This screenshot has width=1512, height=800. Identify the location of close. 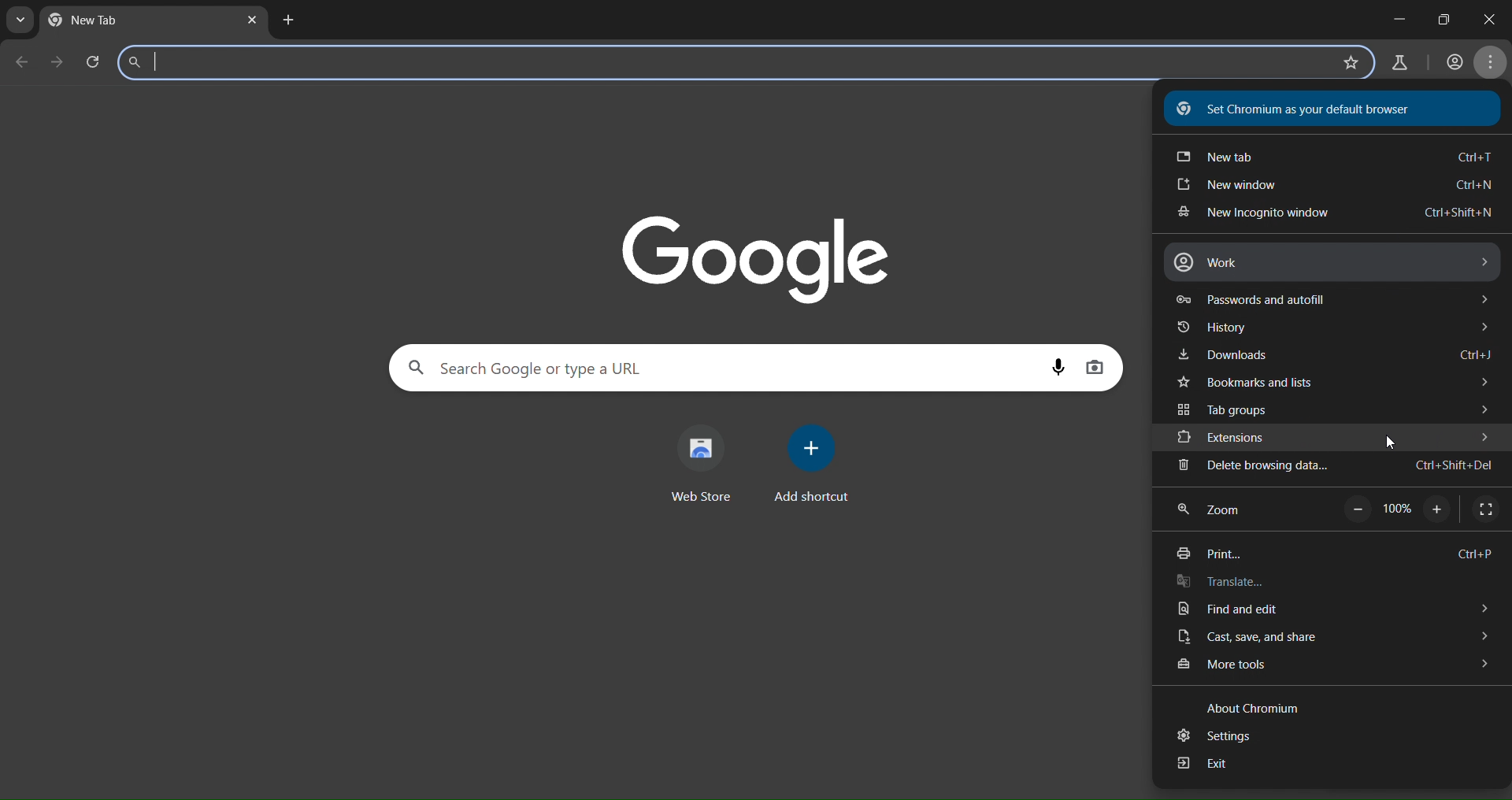
(1495, 14).